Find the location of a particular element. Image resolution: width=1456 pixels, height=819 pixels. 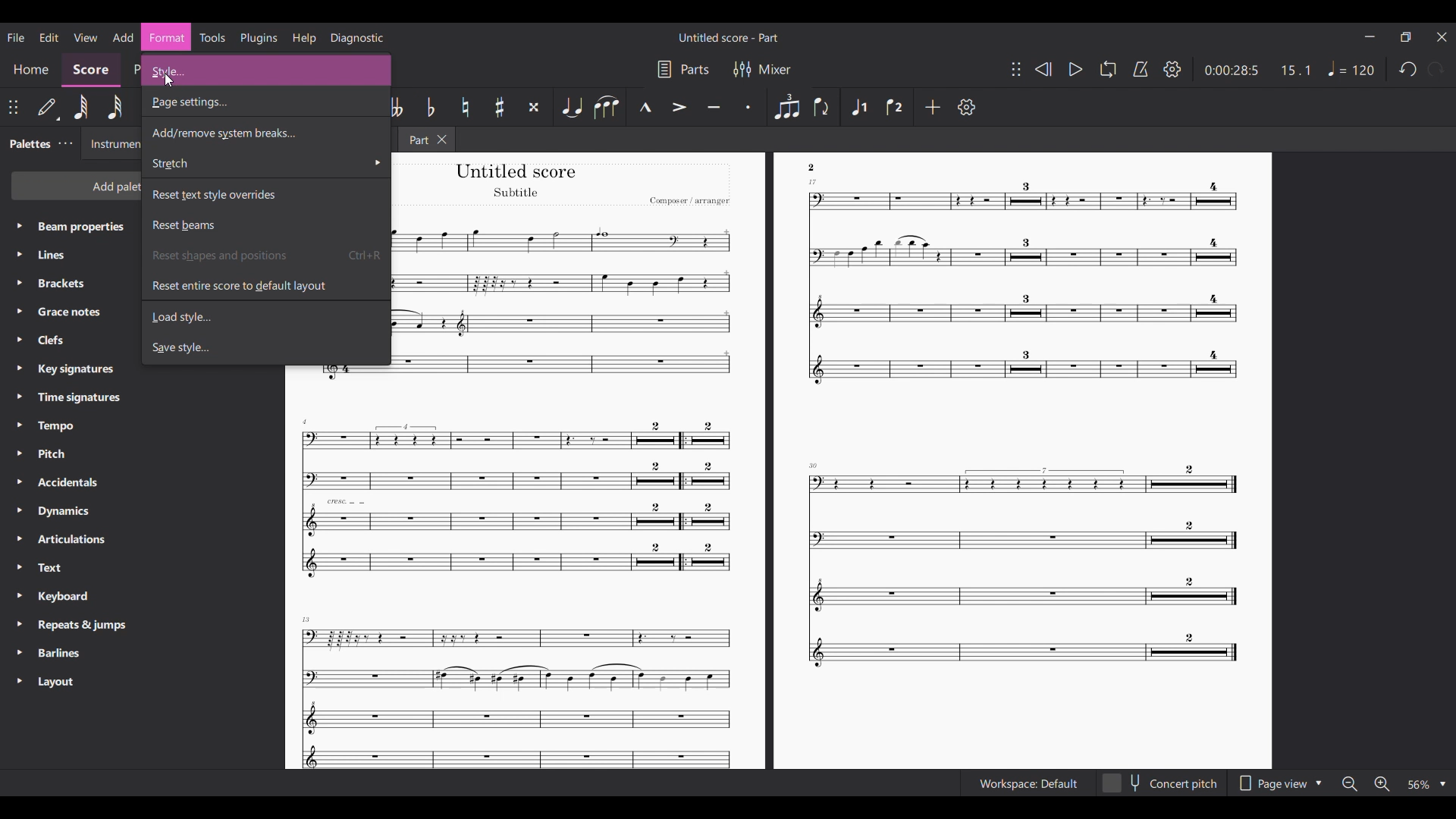

Redo and undo is located at coordinates (1421, 69).